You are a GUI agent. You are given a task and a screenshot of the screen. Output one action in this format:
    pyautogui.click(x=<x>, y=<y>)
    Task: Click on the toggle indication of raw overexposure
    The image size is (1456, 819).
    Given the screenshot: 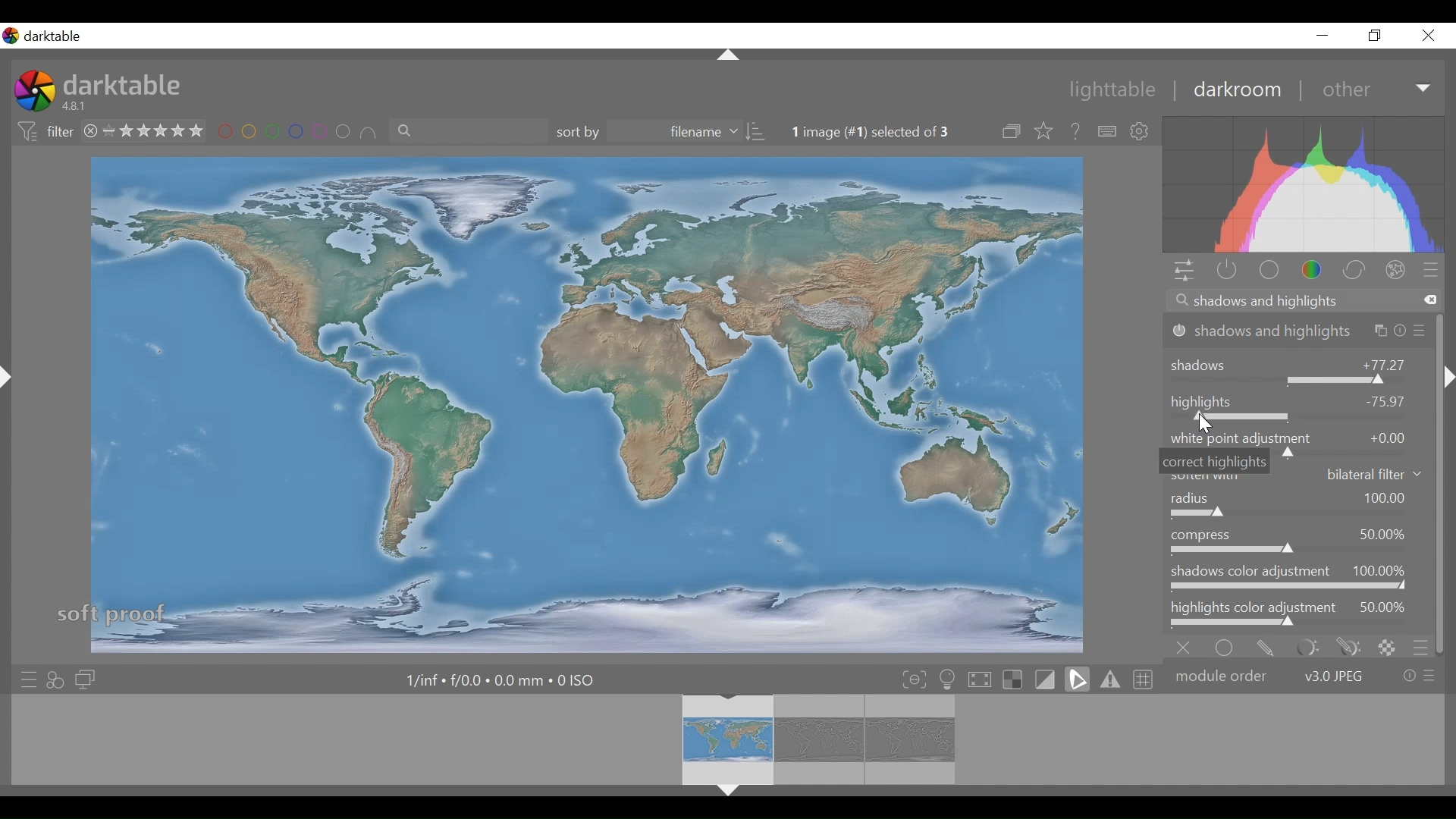 What is the action you would take?
    pyautogui.click(x=1015, y=680)
    